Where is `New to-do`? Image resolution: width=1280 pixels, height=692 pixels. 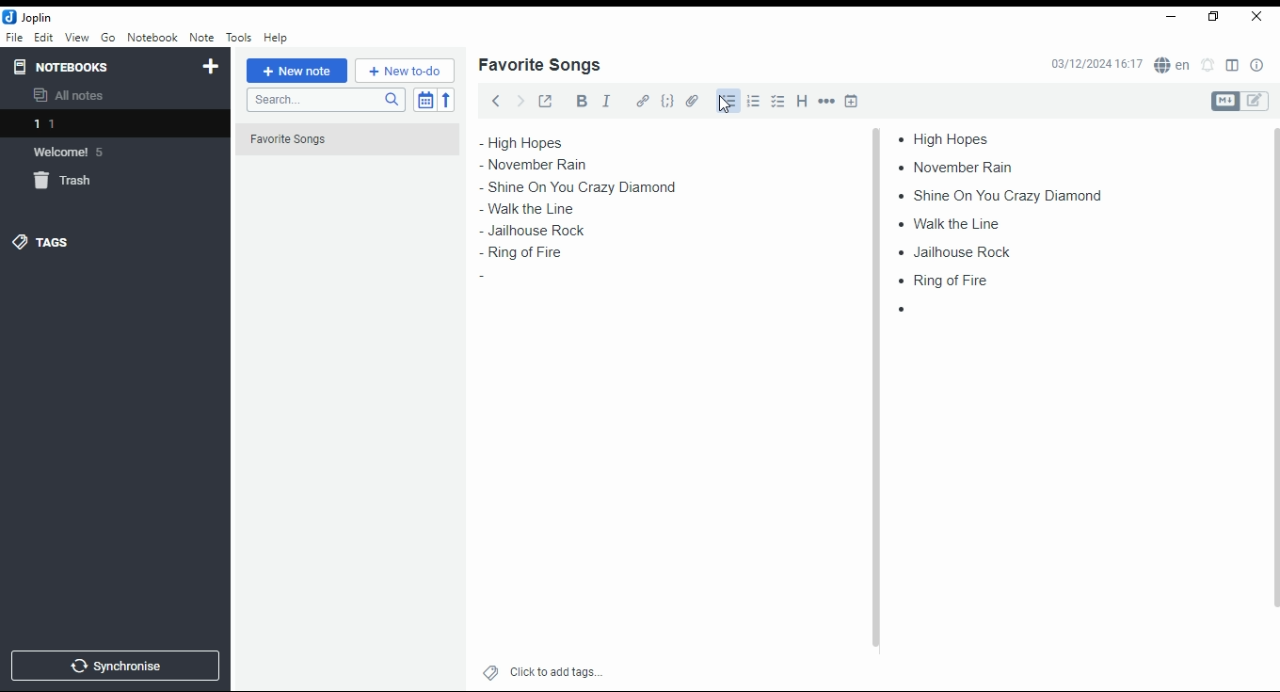 New to-do is located at coordinates (405, 71).